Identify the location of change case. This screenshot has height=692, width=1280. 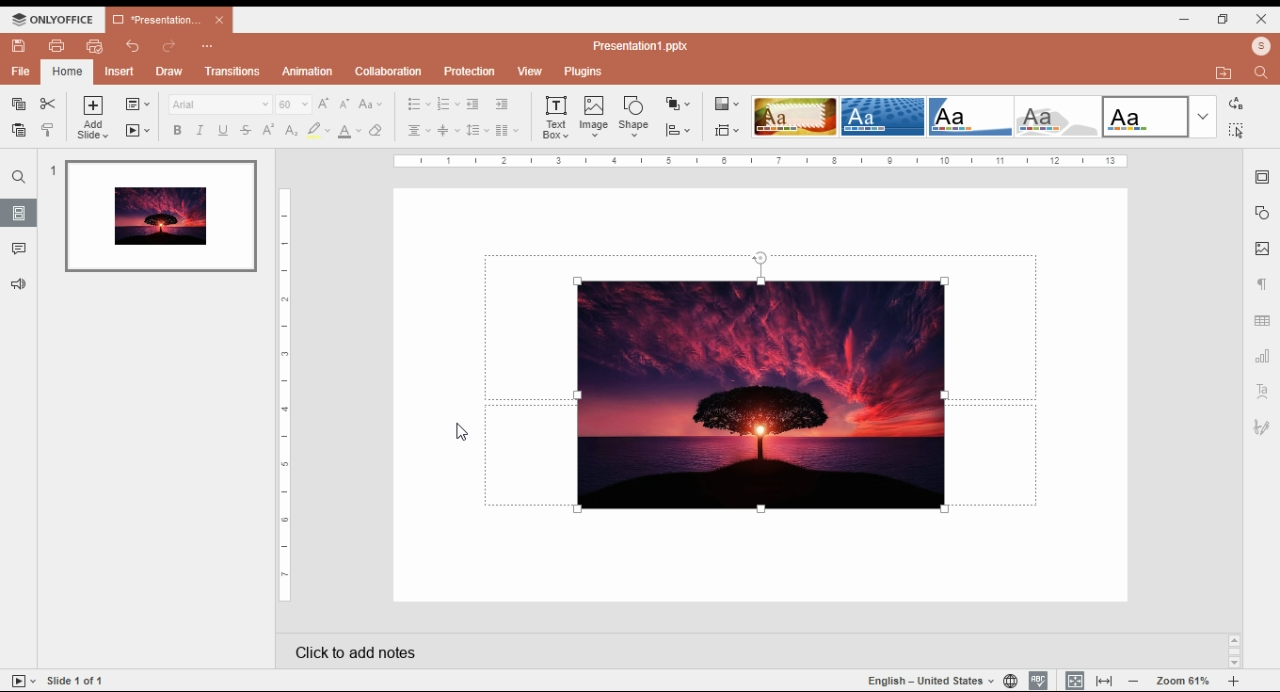
(371, 104).